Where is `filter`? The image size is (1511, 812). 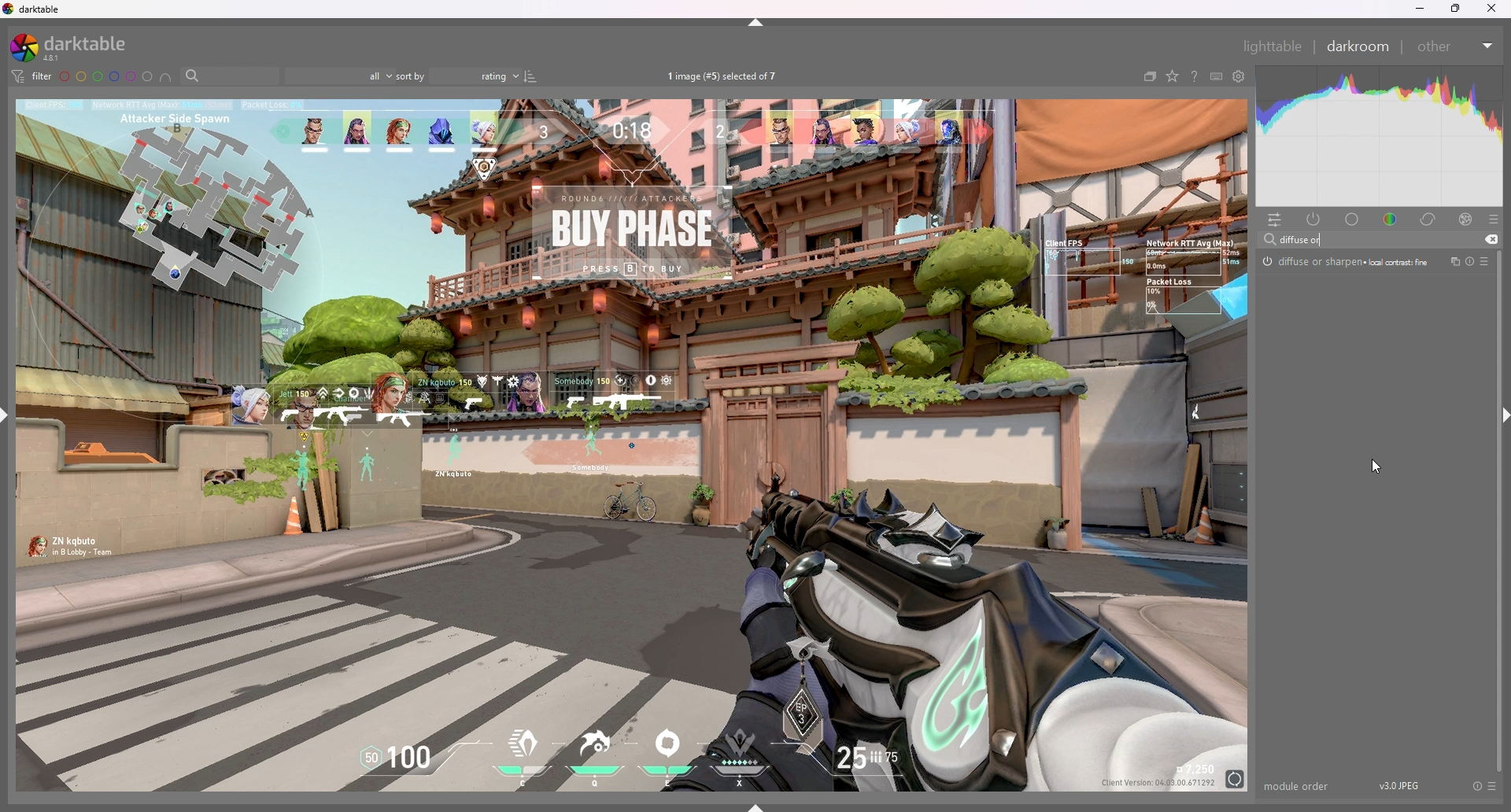 filter is located at coordinates (31, 76).